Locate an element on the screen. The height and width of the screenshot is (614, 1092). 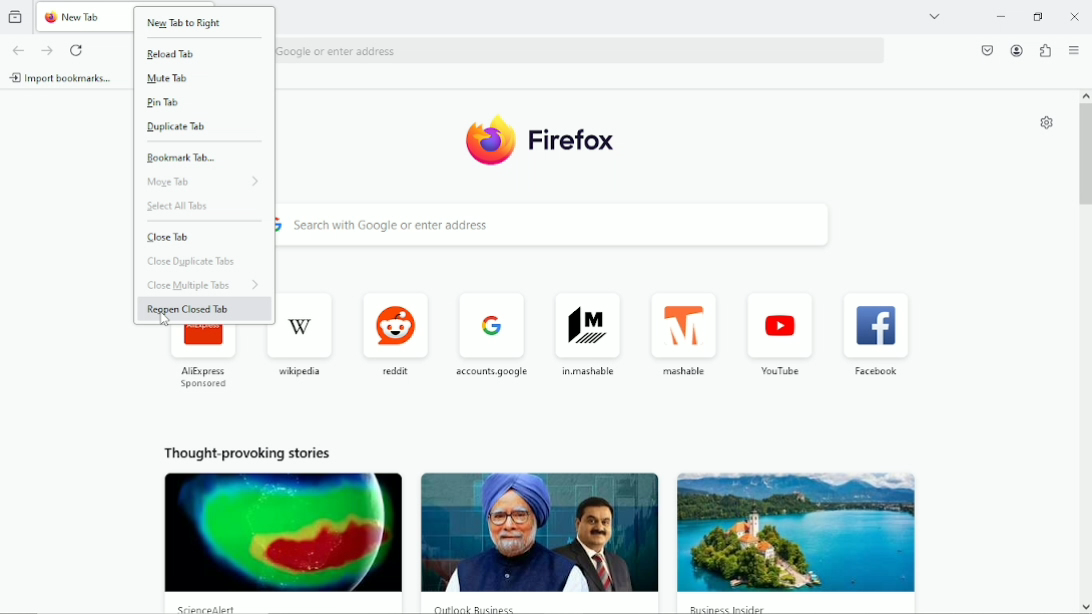
Open applications menu is located at coordinates (1076, 49).